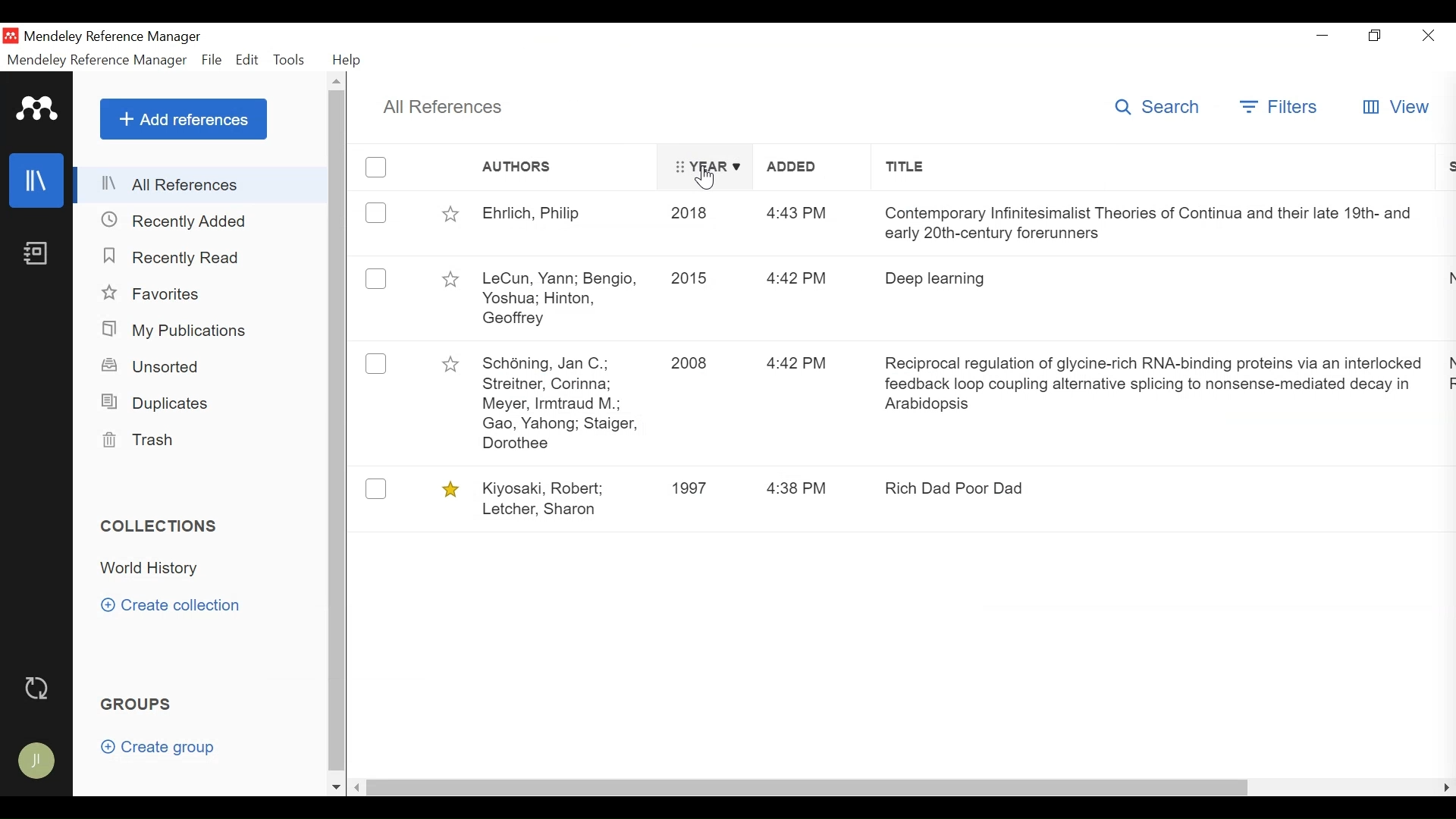 The image size is (1456, 819). I want to click on Collections, so click(160, 526).